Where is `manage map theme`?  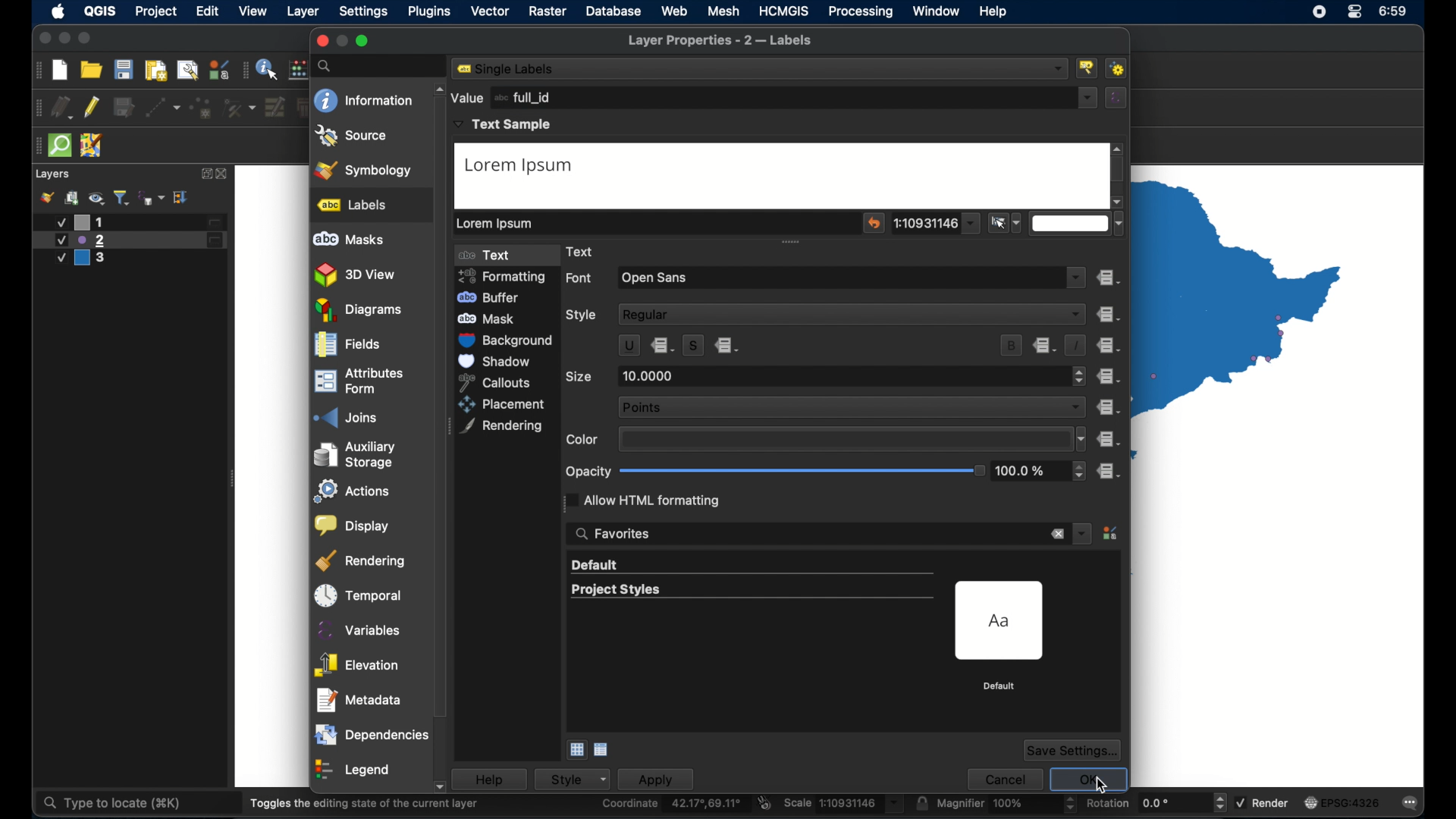 manage map theme is located at coordinates (96, 198).